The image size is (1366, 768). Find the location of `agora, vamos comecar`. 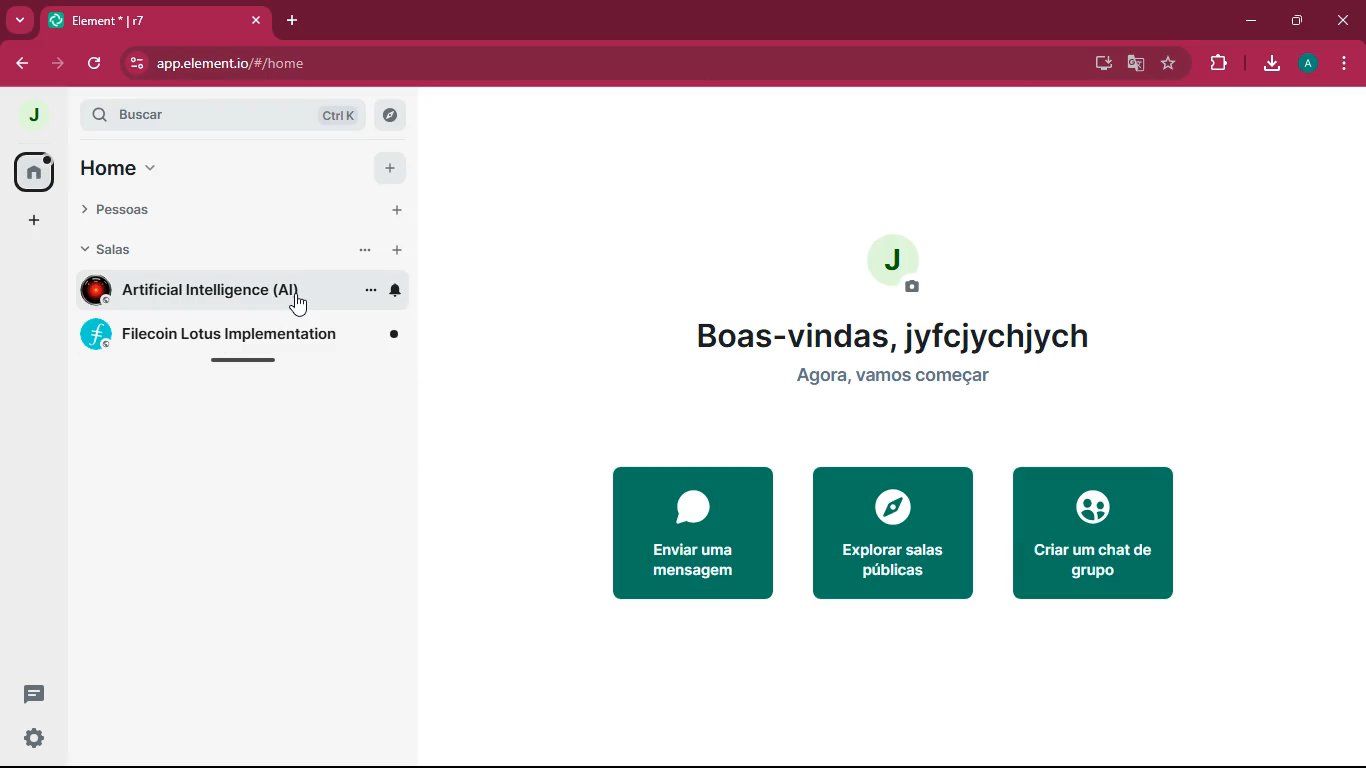

agora, vamos comecar is located at coordinates (890, 377).